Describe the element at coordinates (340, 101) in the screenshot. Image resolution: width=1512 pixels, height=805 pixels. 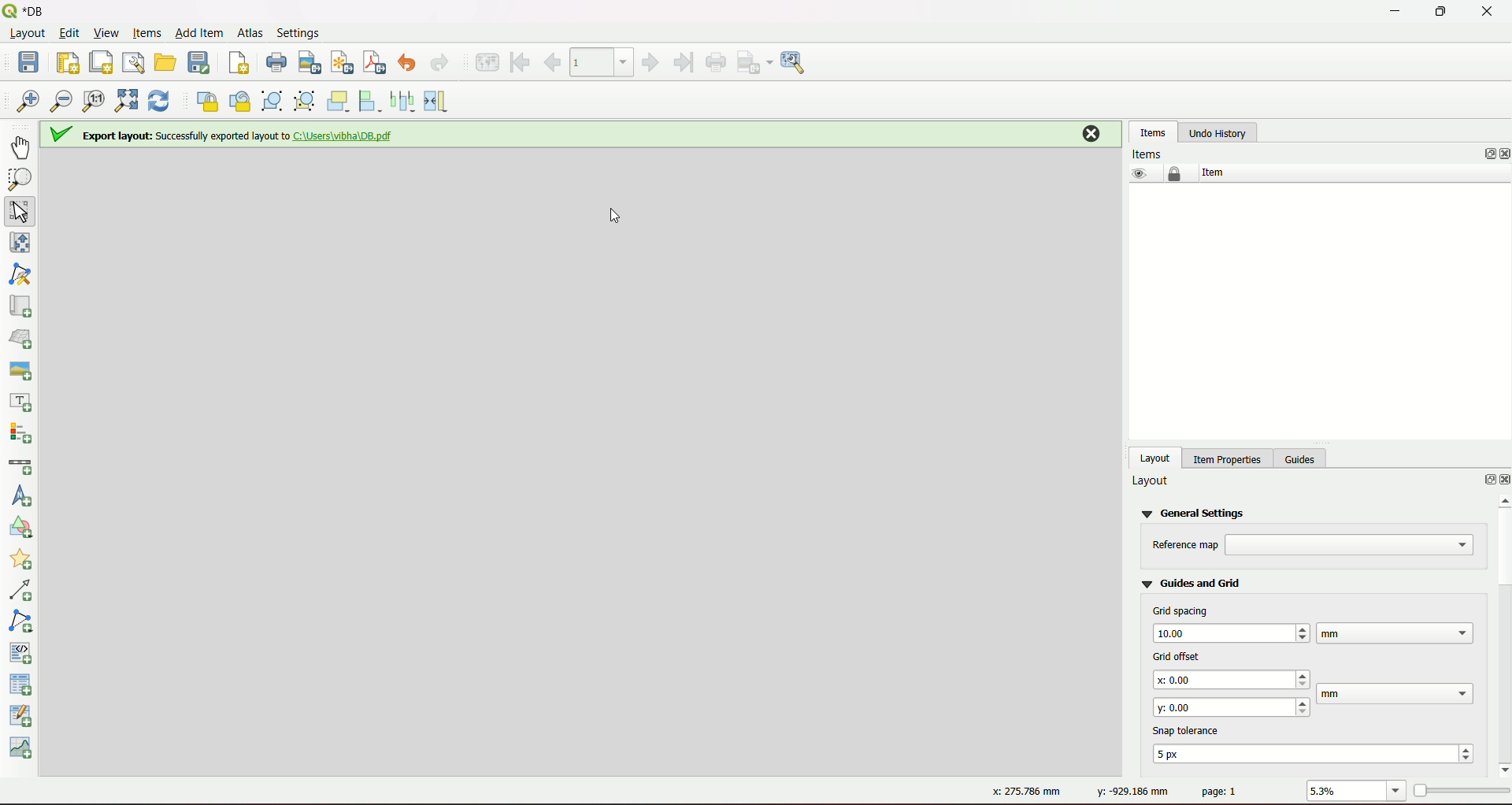
I see `raise selected` at that location.